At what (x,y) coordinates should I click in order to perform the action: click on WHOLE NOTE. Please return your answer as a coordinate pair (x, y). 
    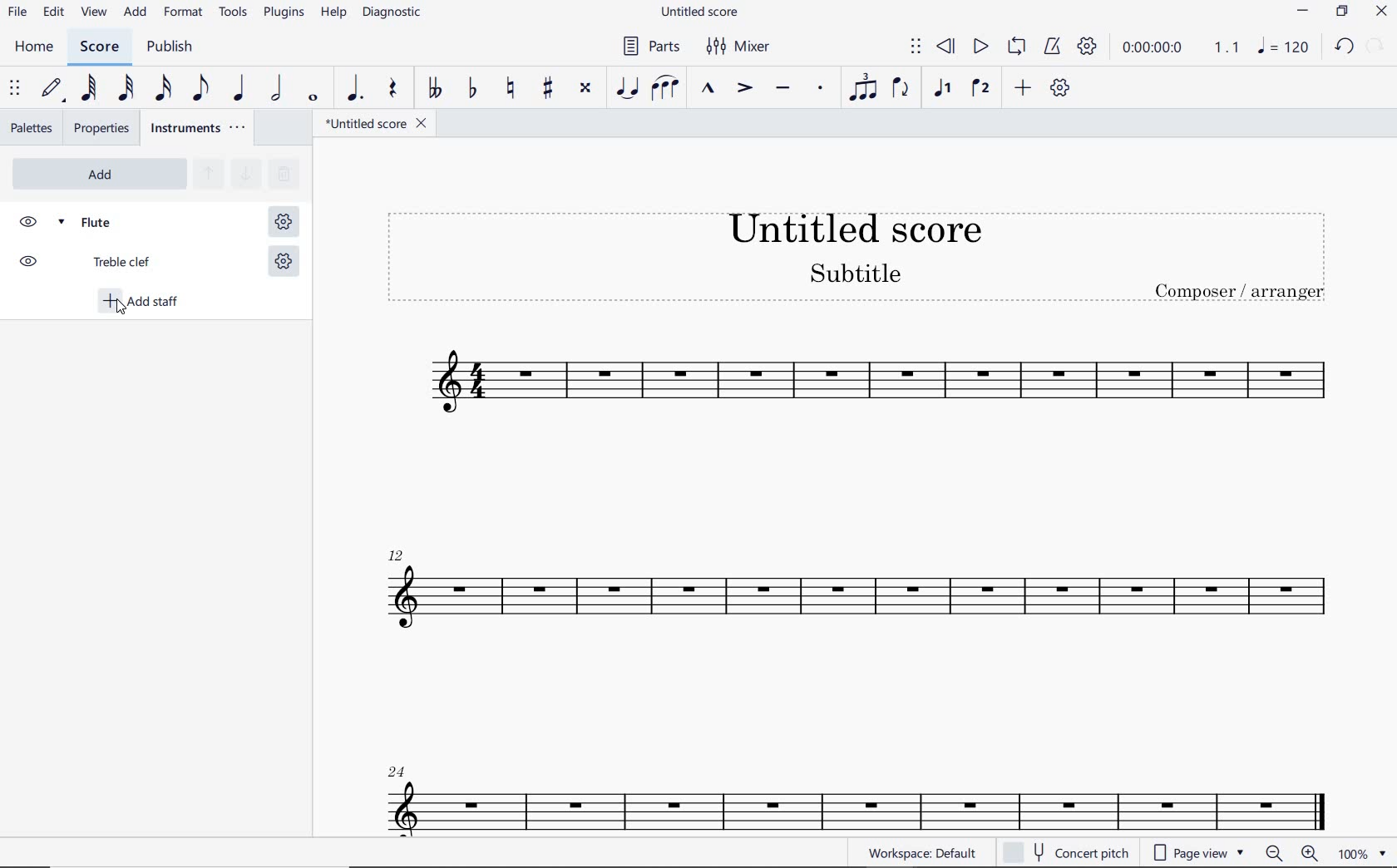
    Looking at the image, I should click on (314, 100).